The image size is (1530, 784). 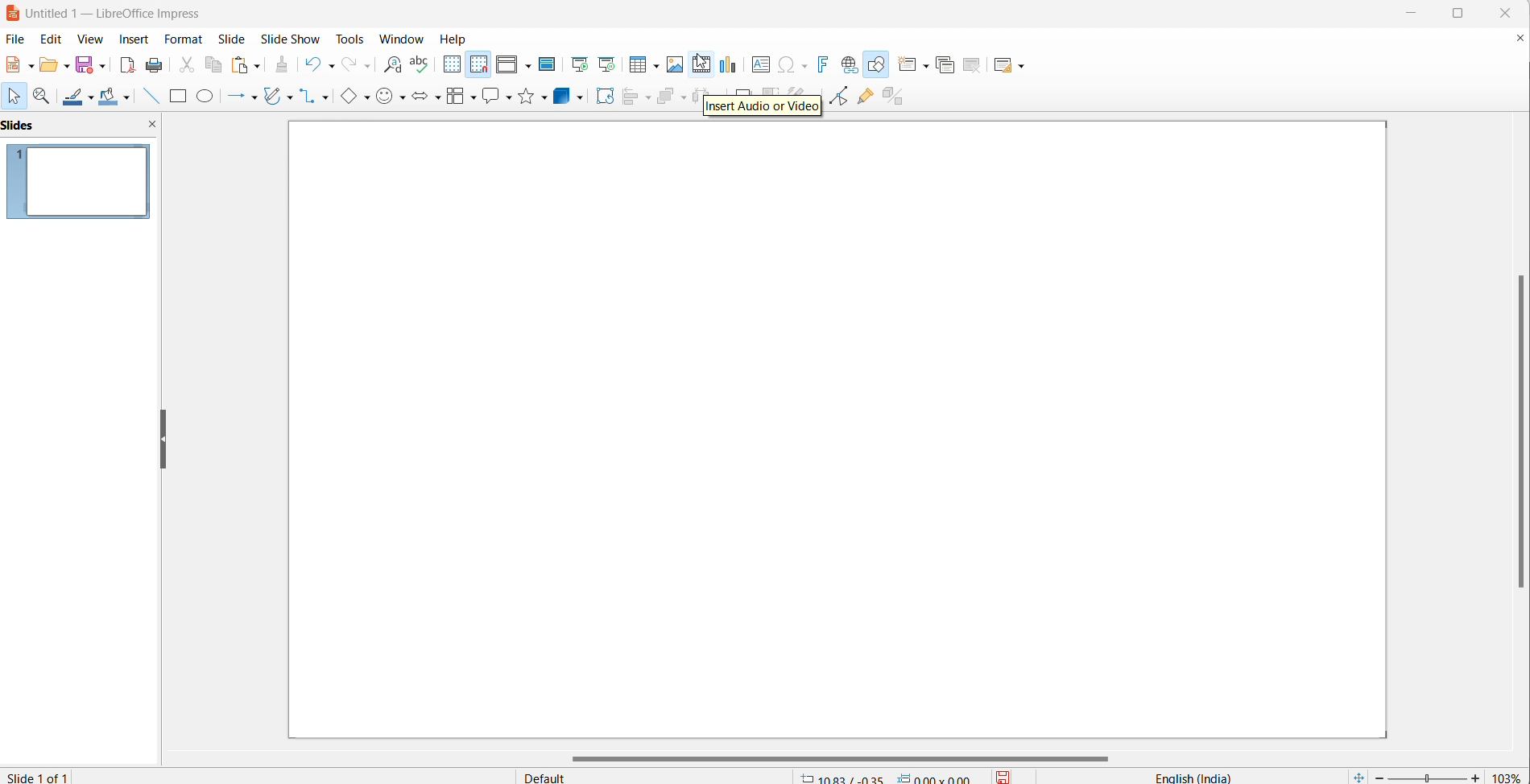 What do you see at coordinates (655, 66) in the screenshot?
I see `table grid` at bounding box center [655, 66].